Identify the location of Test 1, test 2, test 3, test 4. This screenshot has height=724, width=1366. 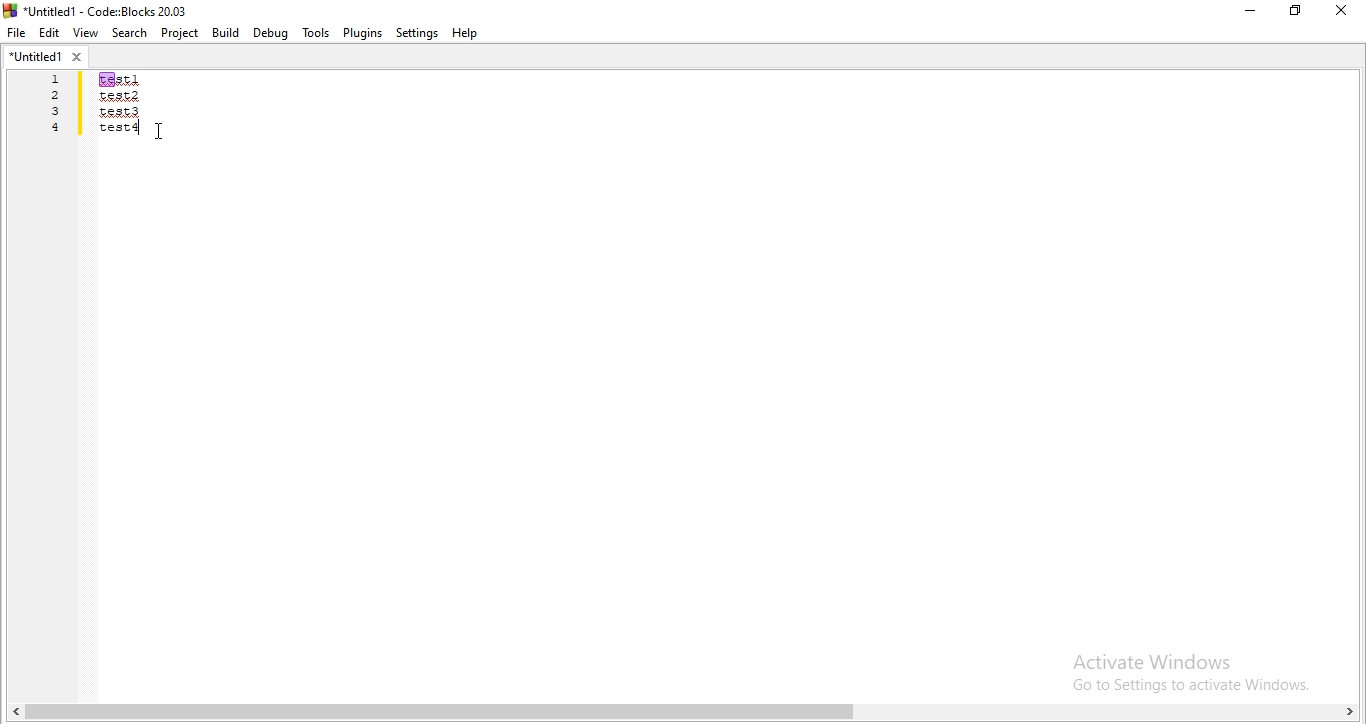
(146, 119).